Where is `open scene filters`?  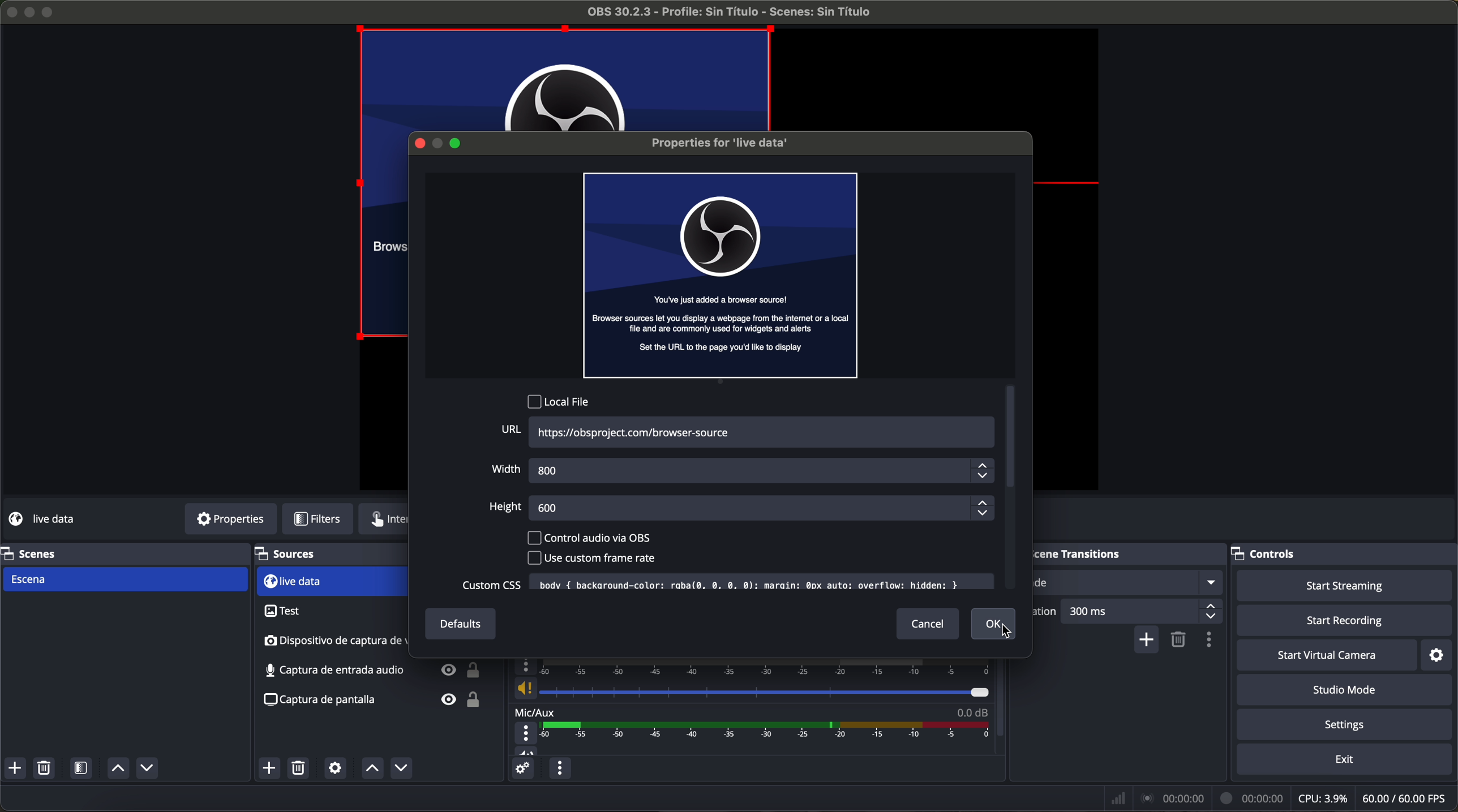 open scene filters is located at coordinates (80, 767).